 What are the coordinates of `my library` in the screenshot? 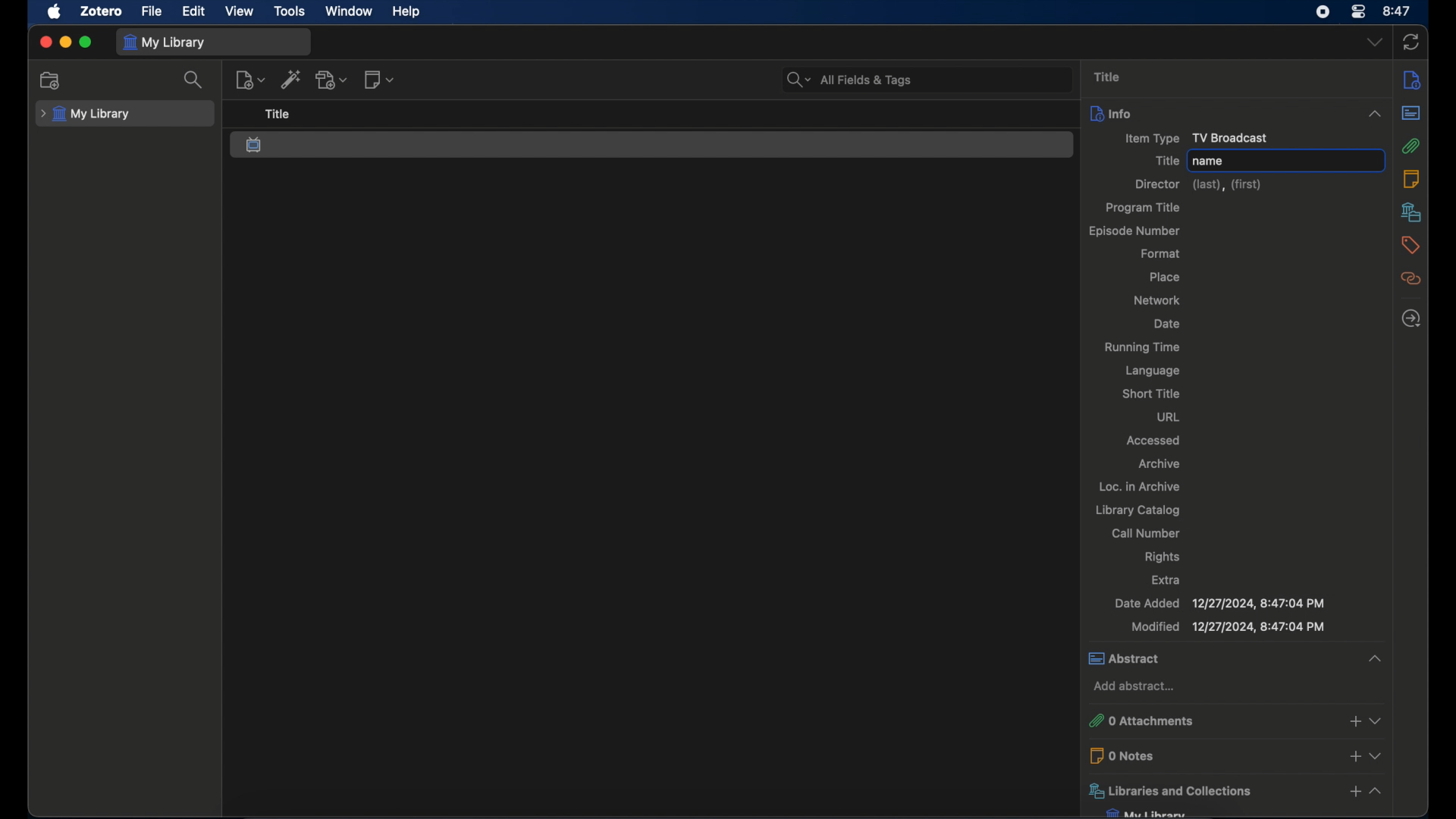 It's located at (1147, 813).